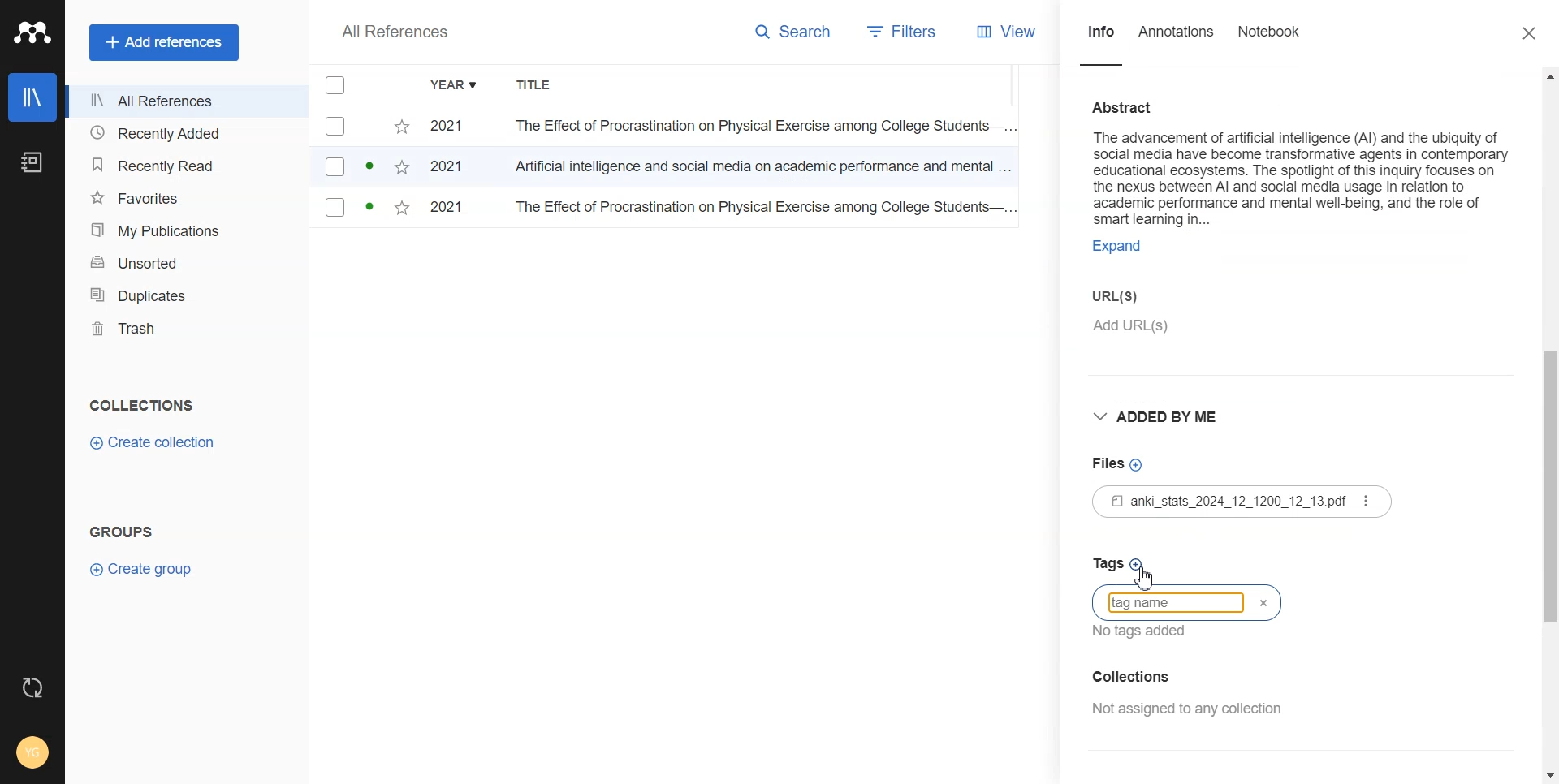 This screenshot has width=1559, height=784. Describe the element at coordinates (1549, 424) in the screenshot. I see `Vertical scroll bar` at that location.